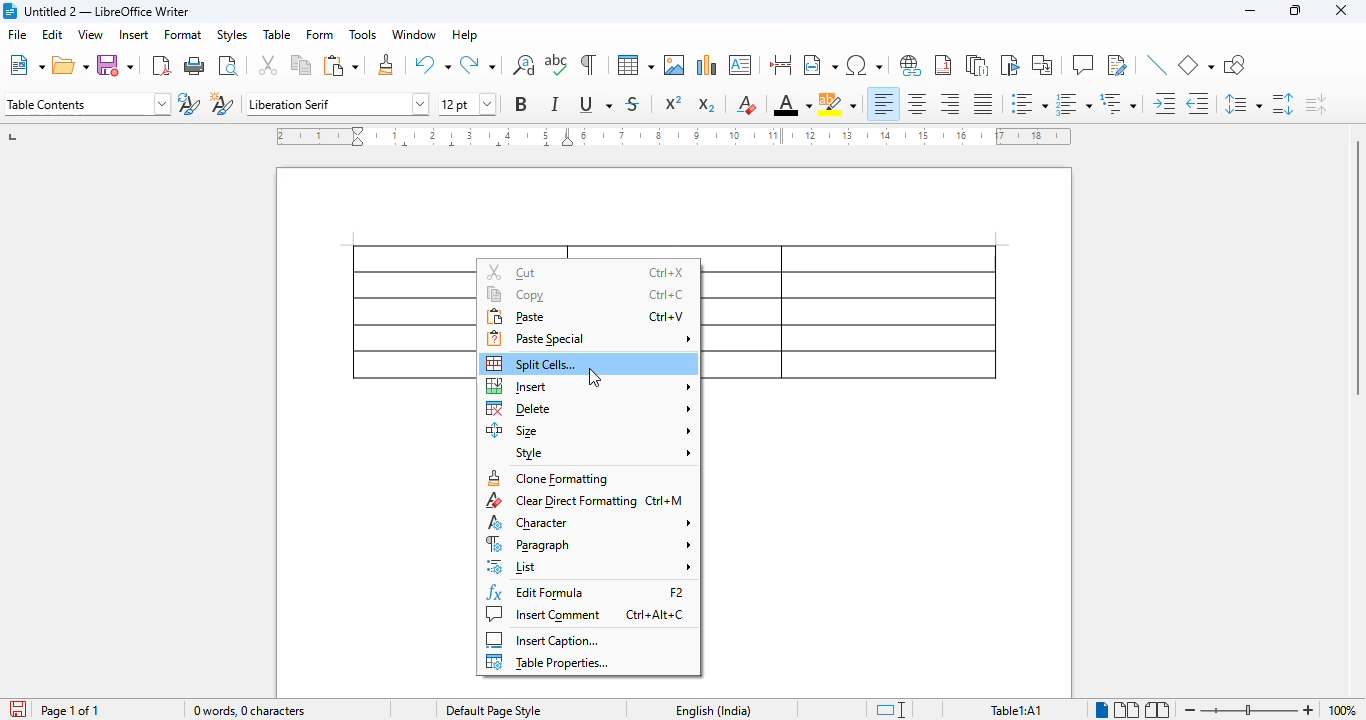  I want to click on new style from selection, so click(222, 103).